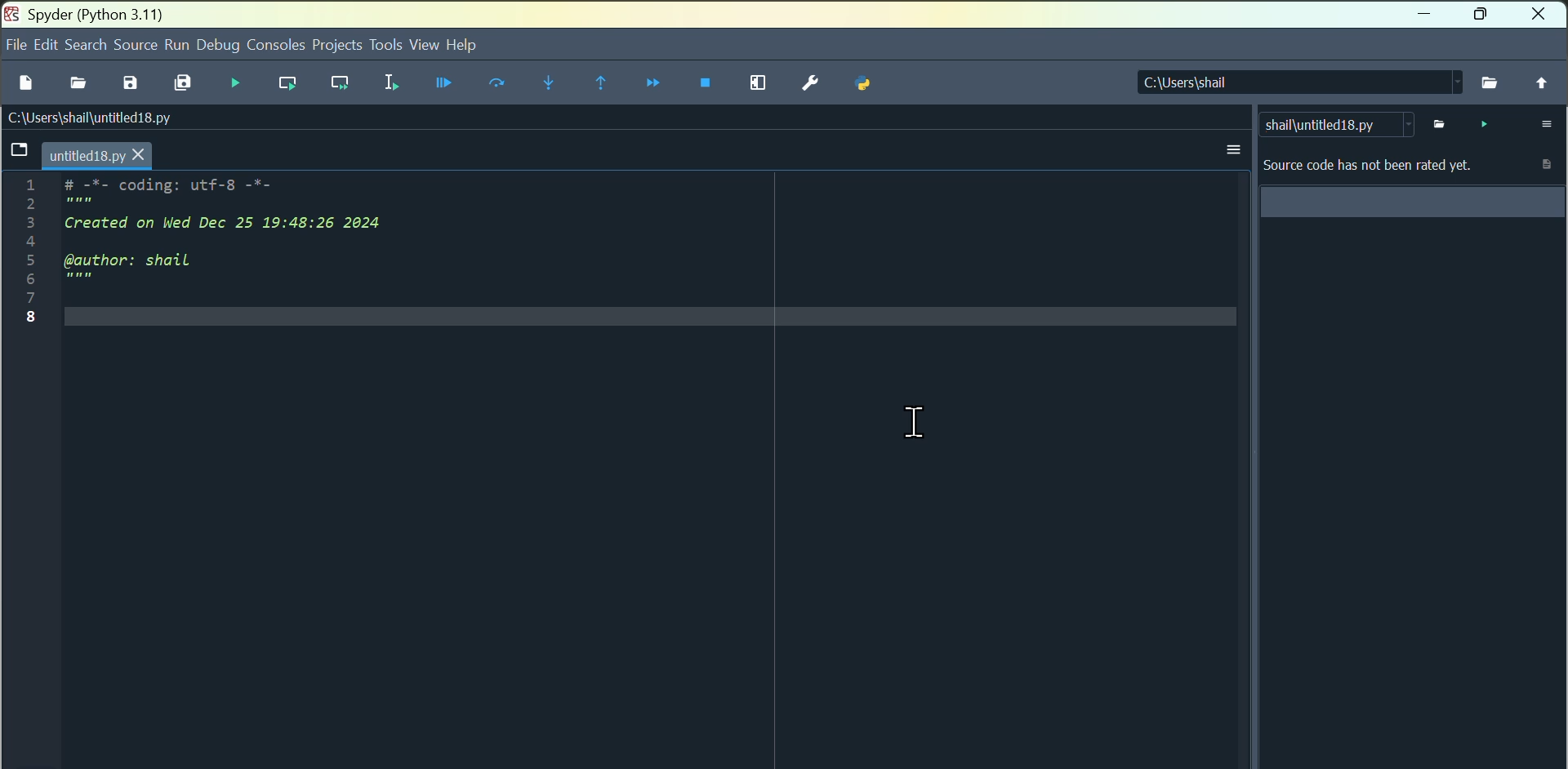 Image resolution: width=1568 pixels, height=769 pixels. What do you see at coordinates (236, 81) in the screenshot?
I see `Run file` at bounding box center [236, 81].